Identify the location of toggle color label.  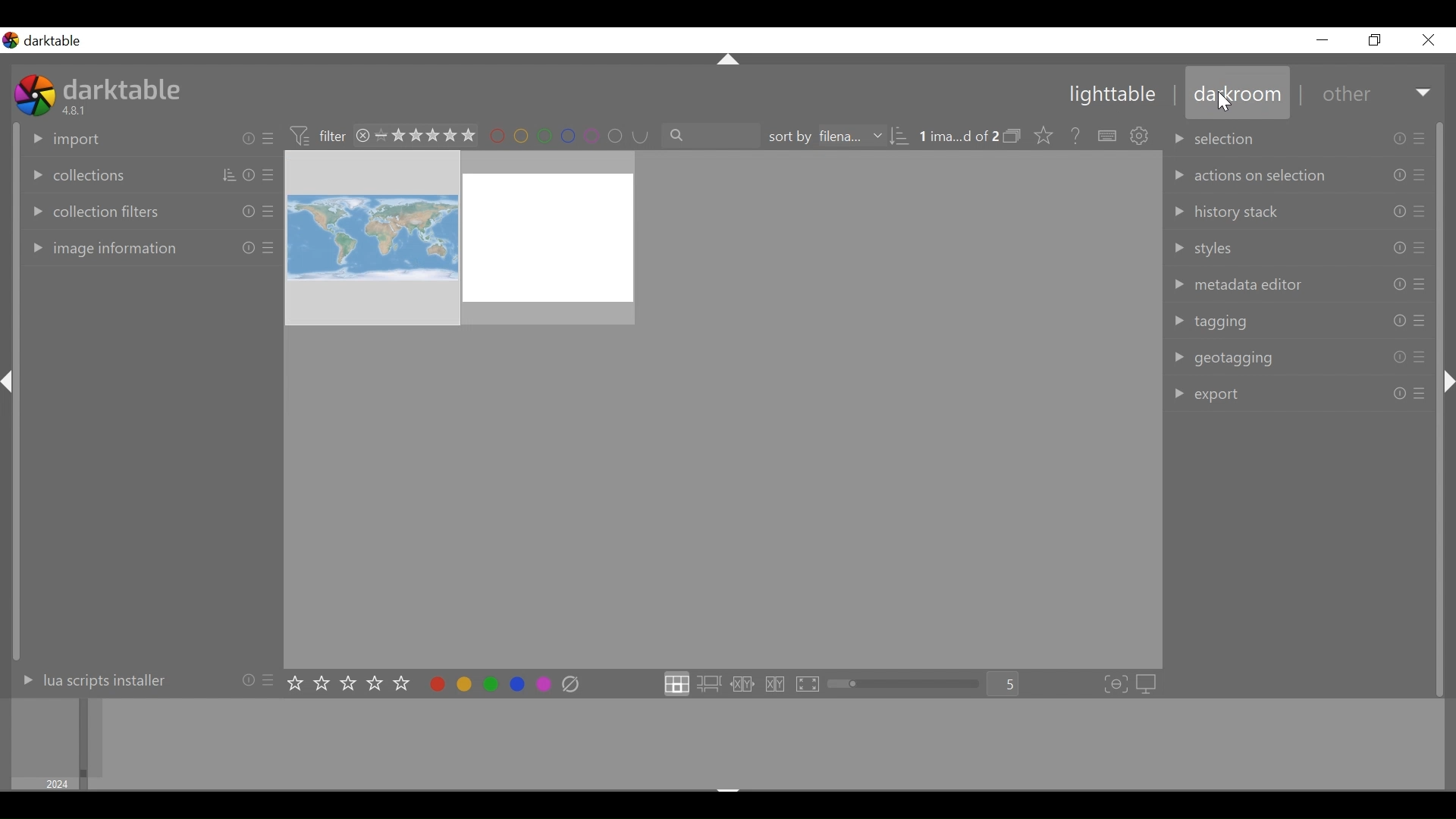
(490, 684).